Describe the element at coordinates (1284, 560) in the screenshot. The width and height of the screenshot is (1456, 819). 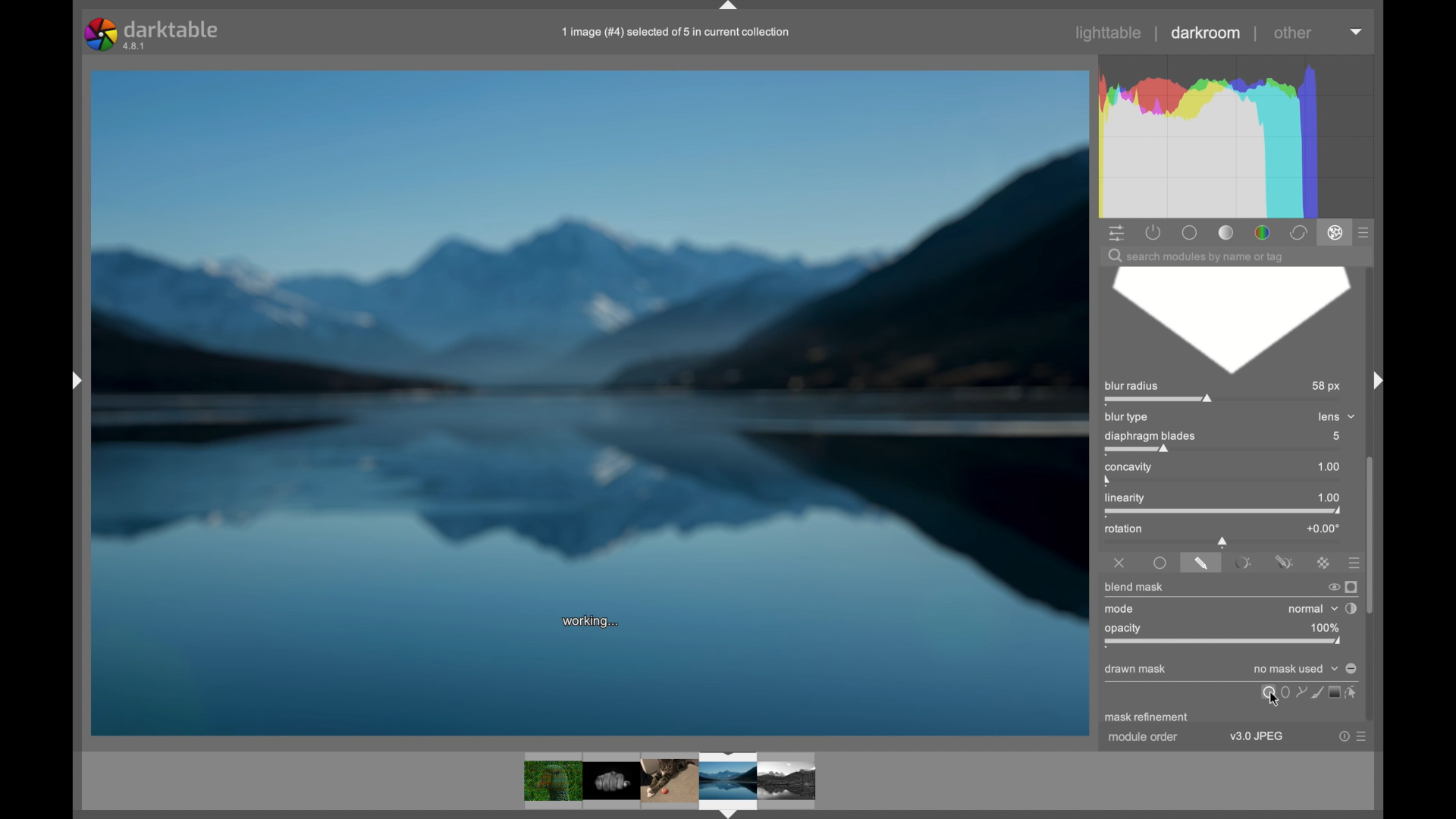
I see `drawn and parametric mask` at that location.